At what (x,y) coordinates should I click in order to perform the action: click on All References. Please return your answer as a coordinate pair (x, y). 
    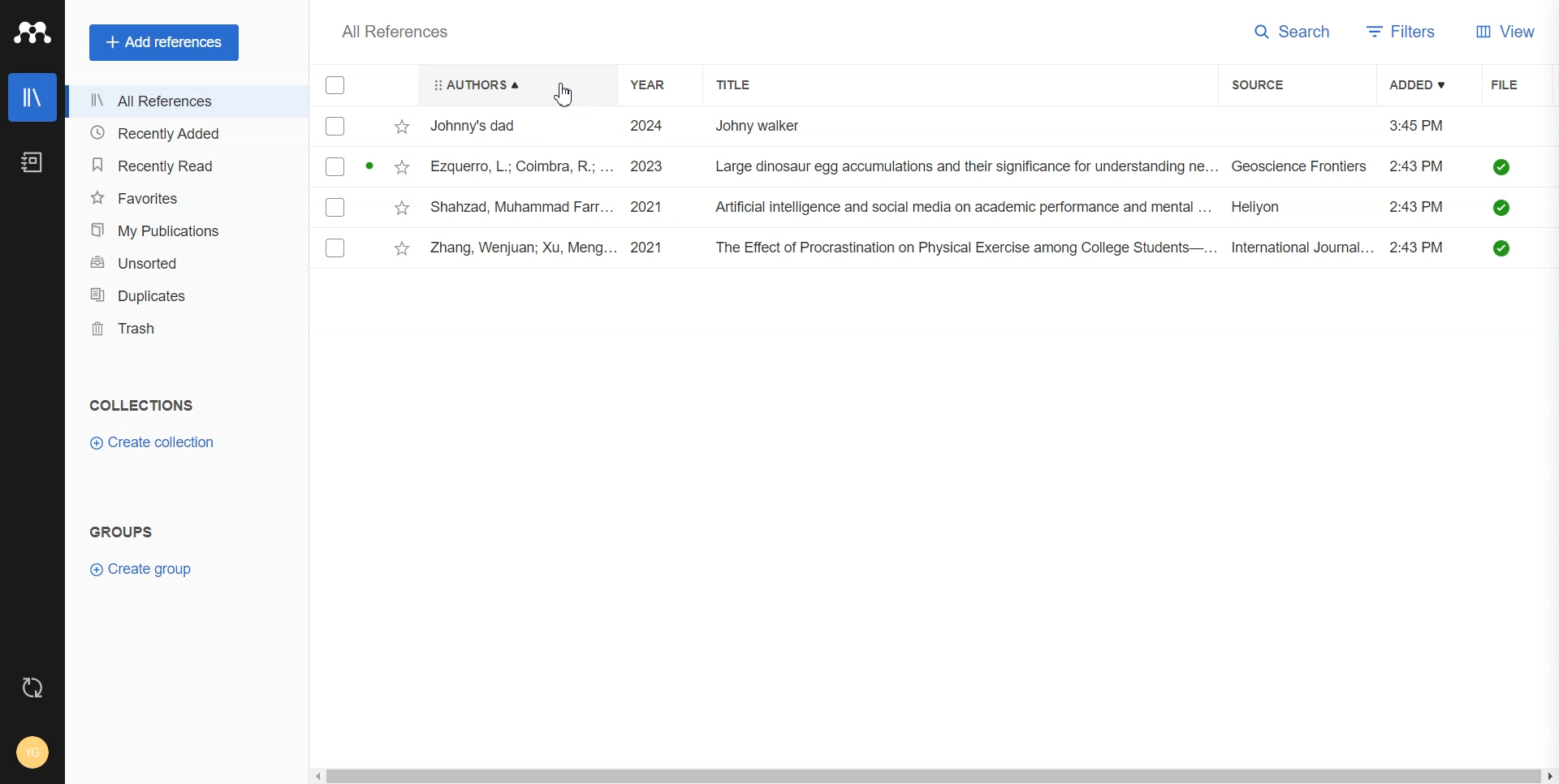
    Looking at the image, I should click on (180, 102).